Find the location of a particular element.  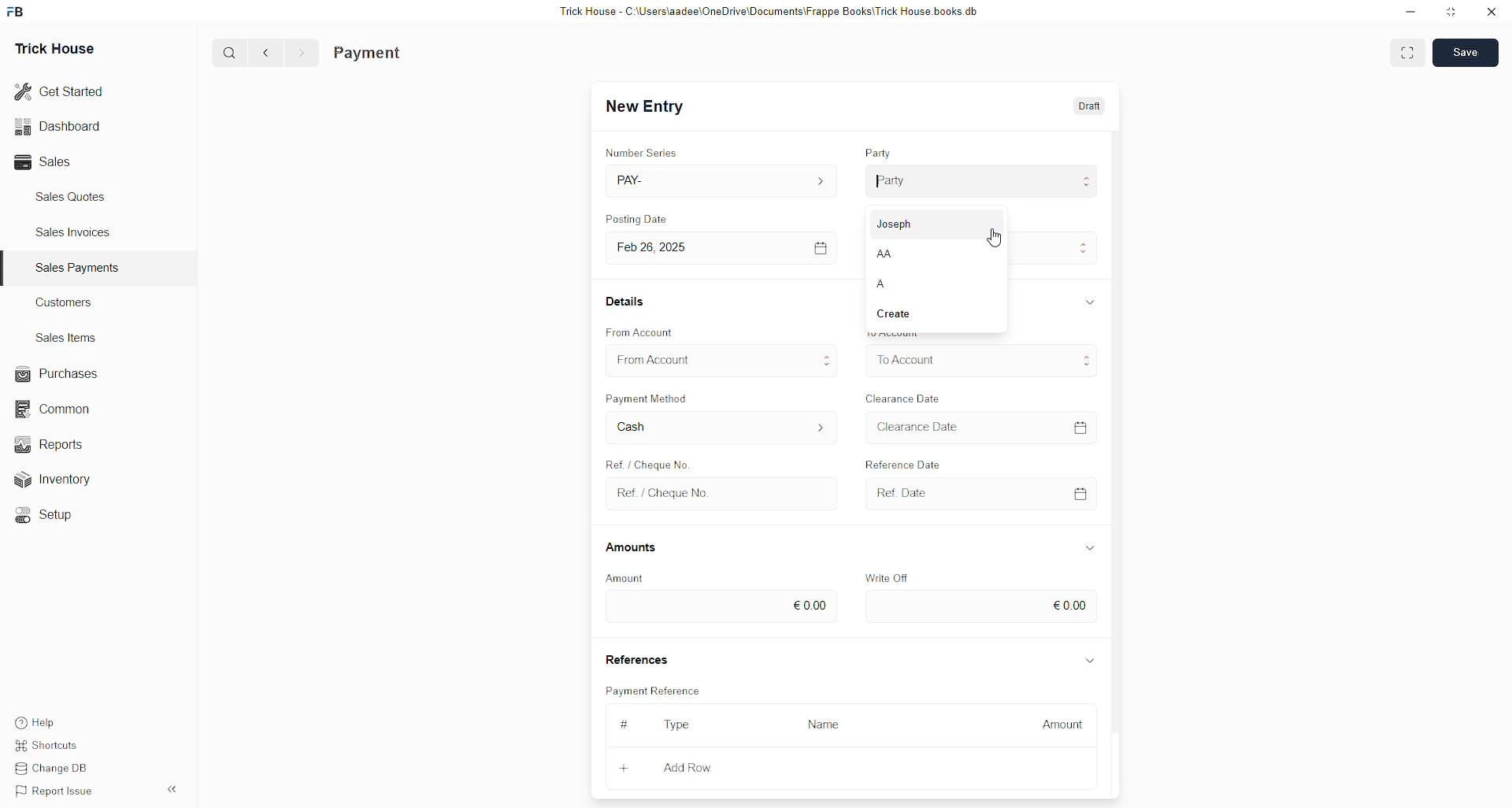

Back is located at coordinates (266, 54).